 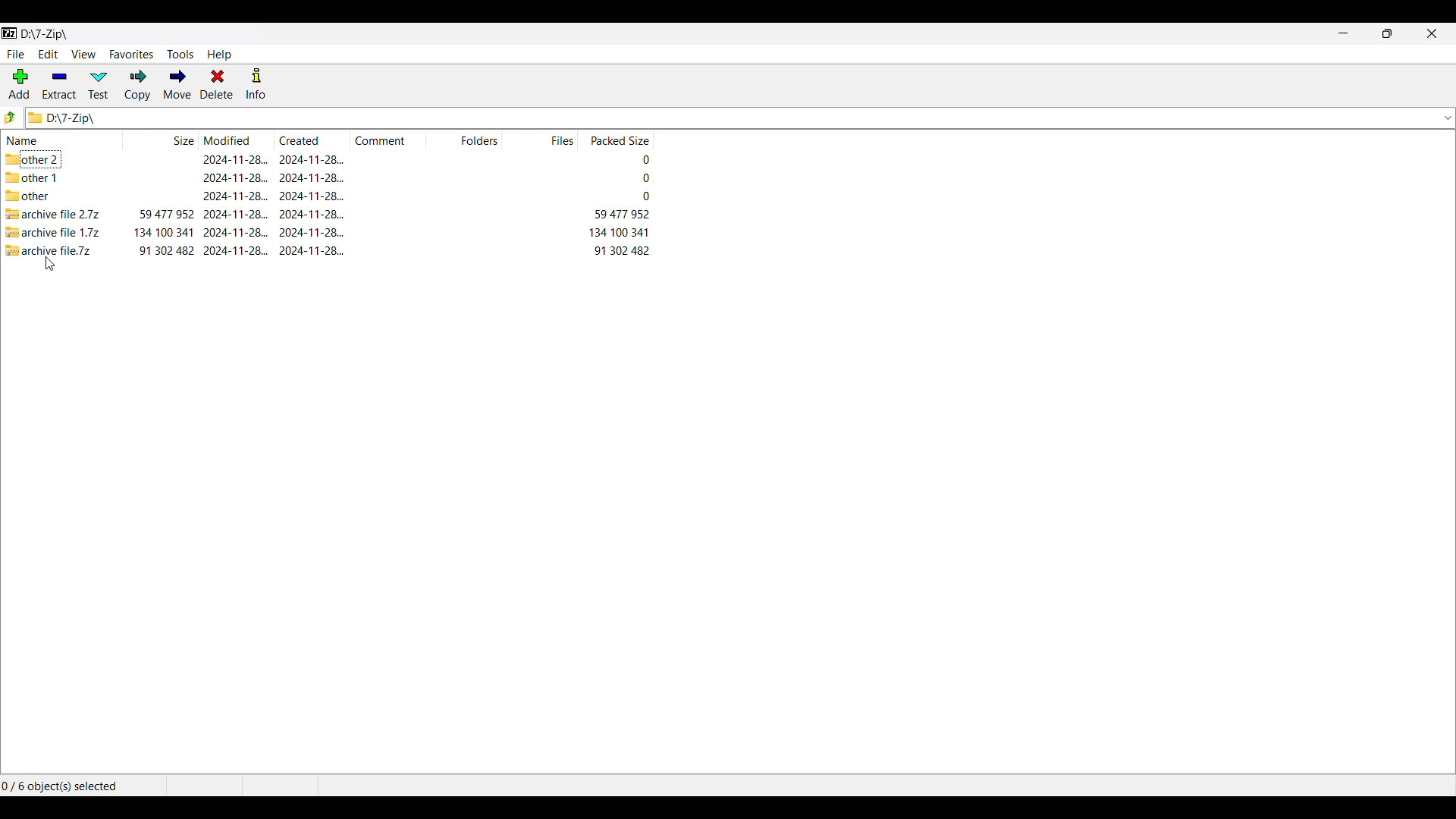 What do you see at coordinates (164, 232) in the screenshot?
I see `size` at bounding box center [164, 232].